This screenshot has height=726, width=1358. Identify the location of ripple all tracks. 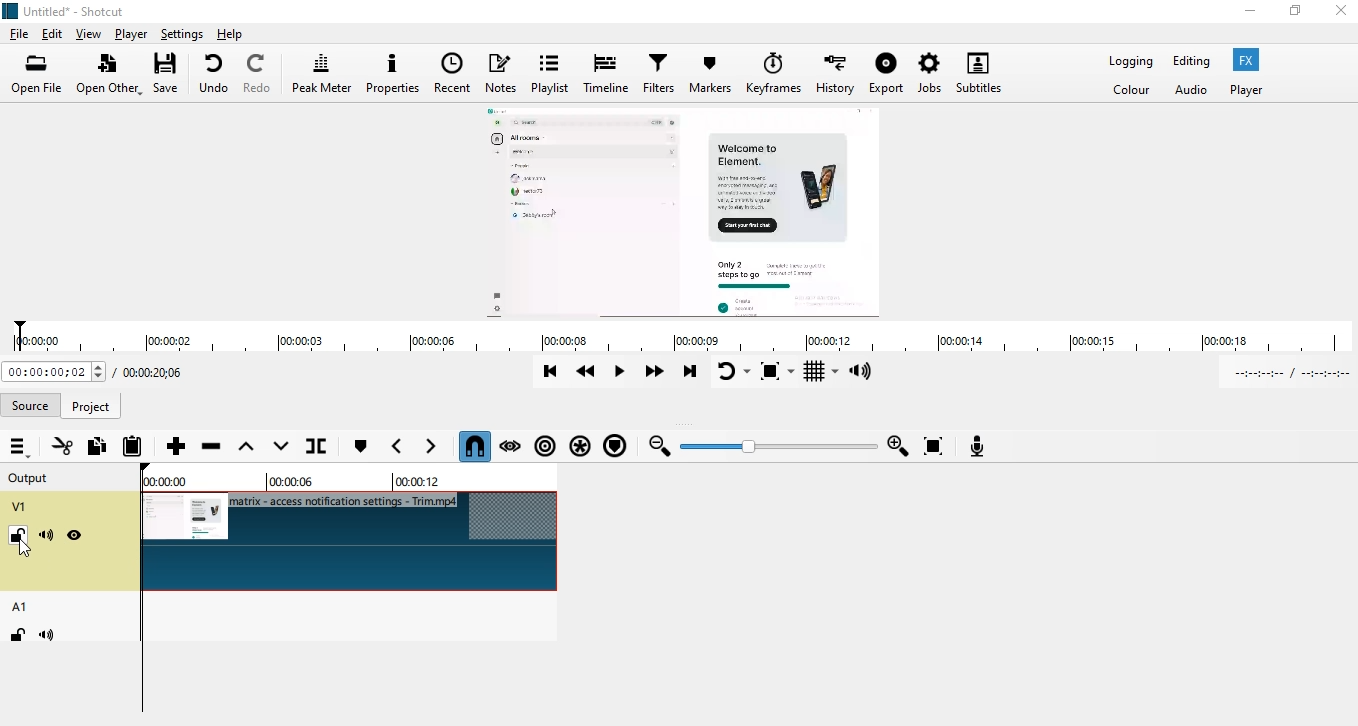
(581, 447).